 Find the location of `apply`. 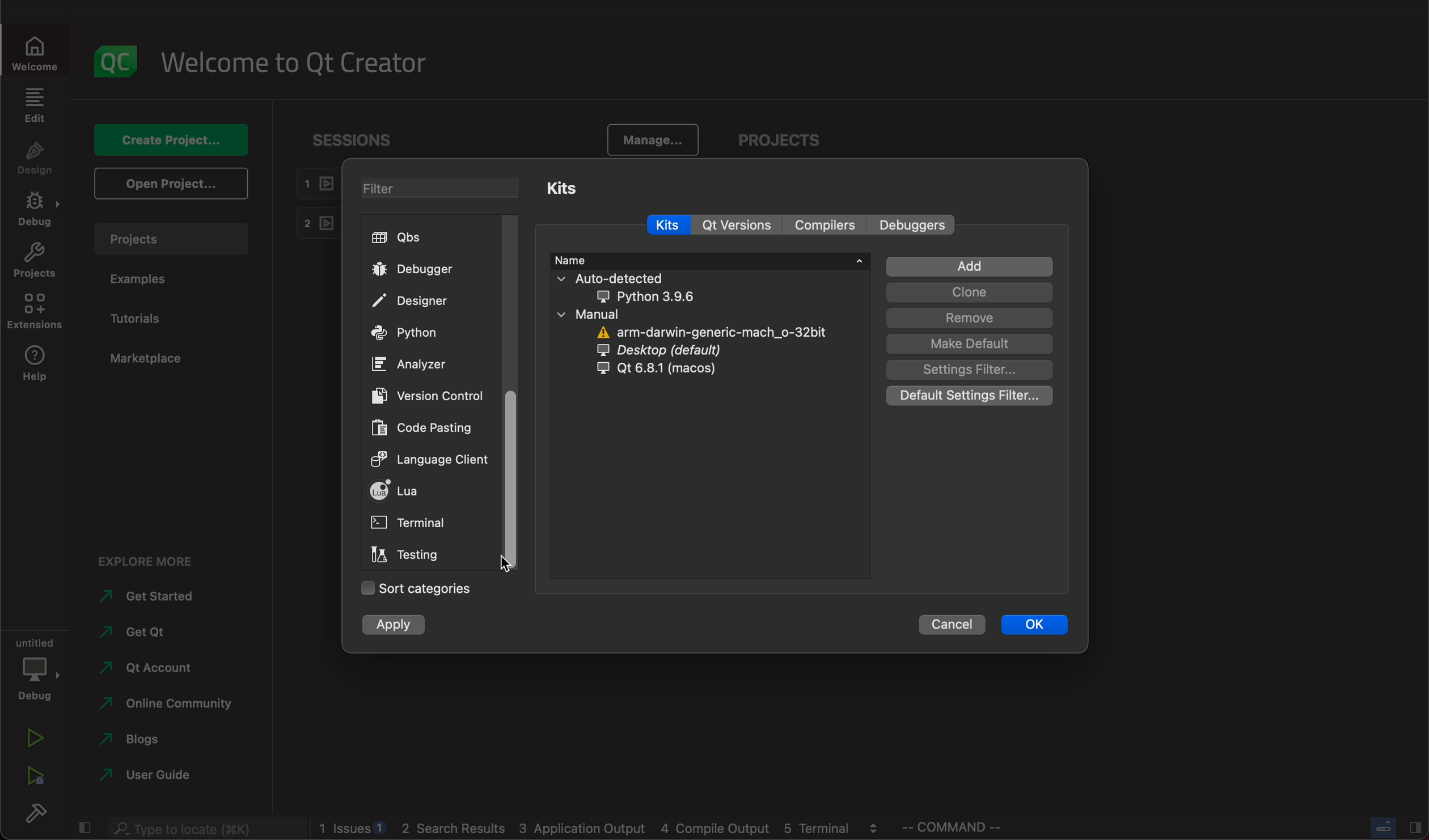

apply is located at coordinates (400, 624).